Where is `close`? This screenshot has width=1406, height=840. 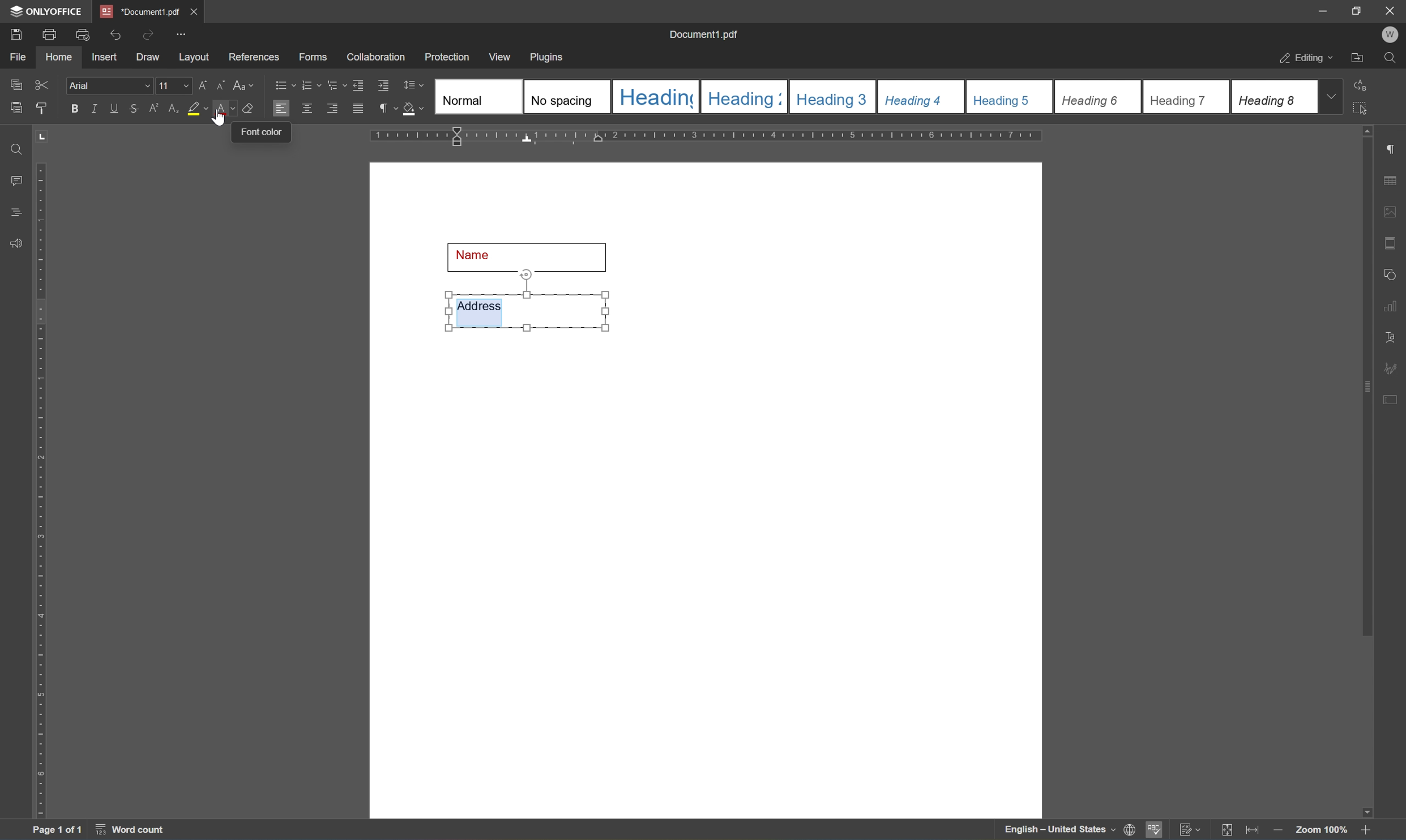 close is located at coordinates (196, 9).